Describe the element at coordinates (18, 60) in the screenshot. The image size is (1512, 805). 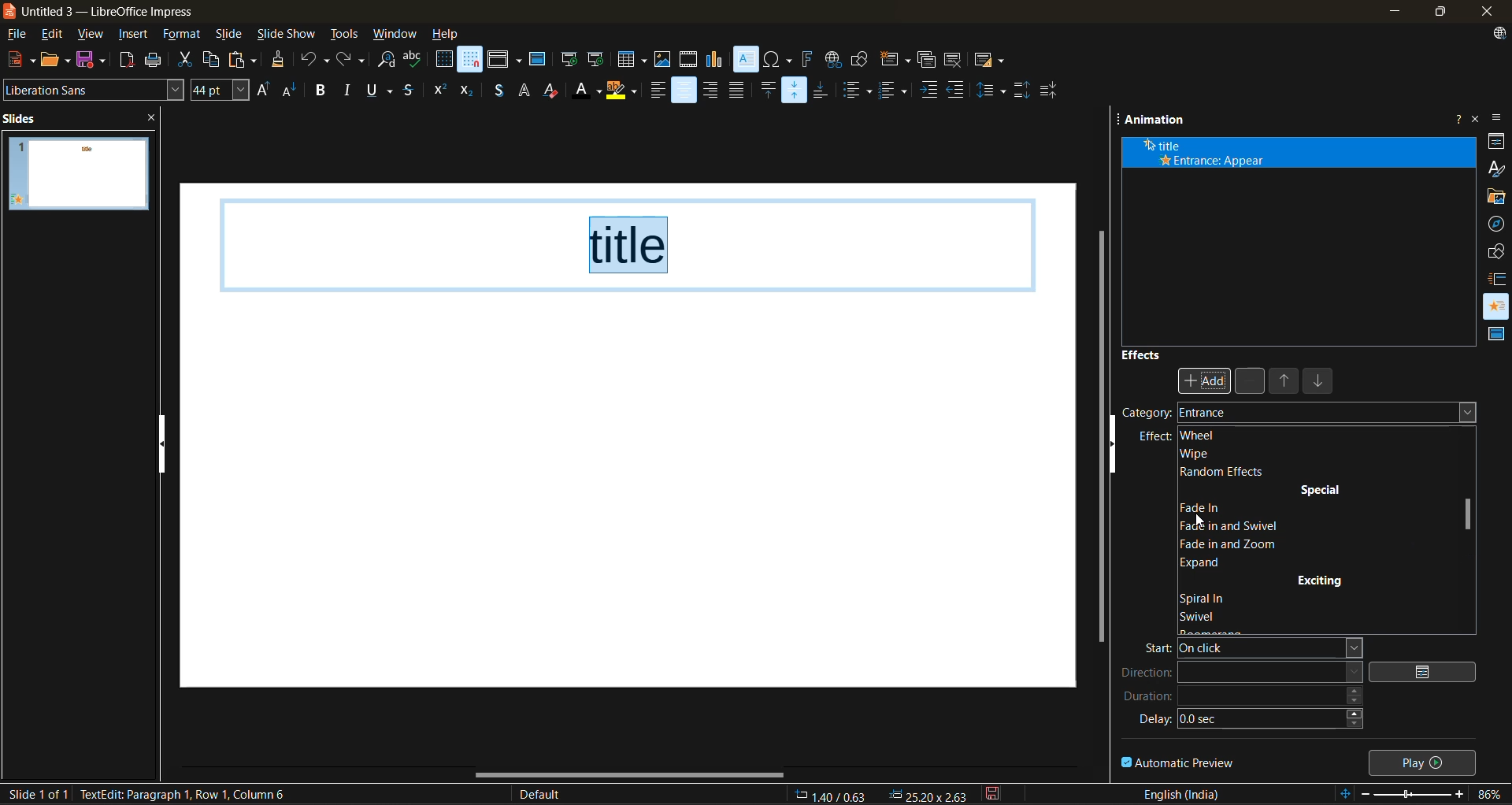
I see `new` at that location.